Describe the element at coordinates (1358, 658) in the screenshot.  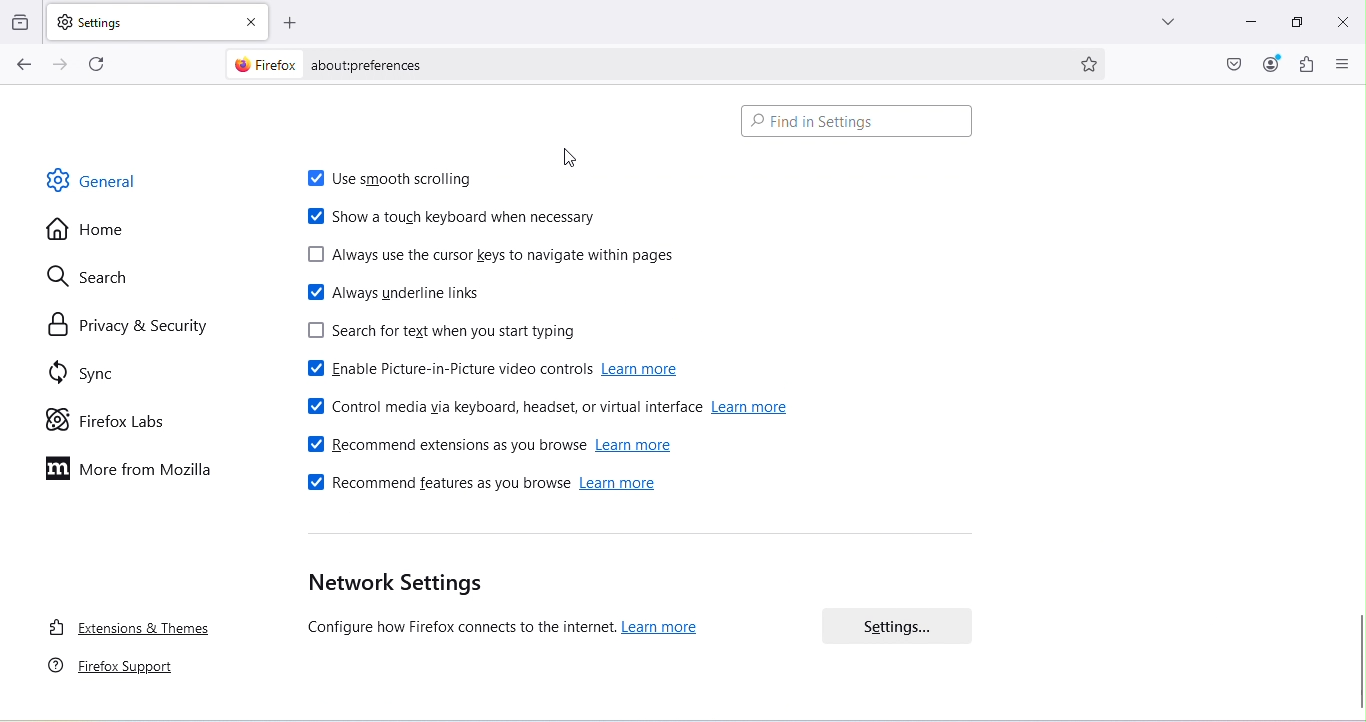
I see `Scroll bar` at that location.